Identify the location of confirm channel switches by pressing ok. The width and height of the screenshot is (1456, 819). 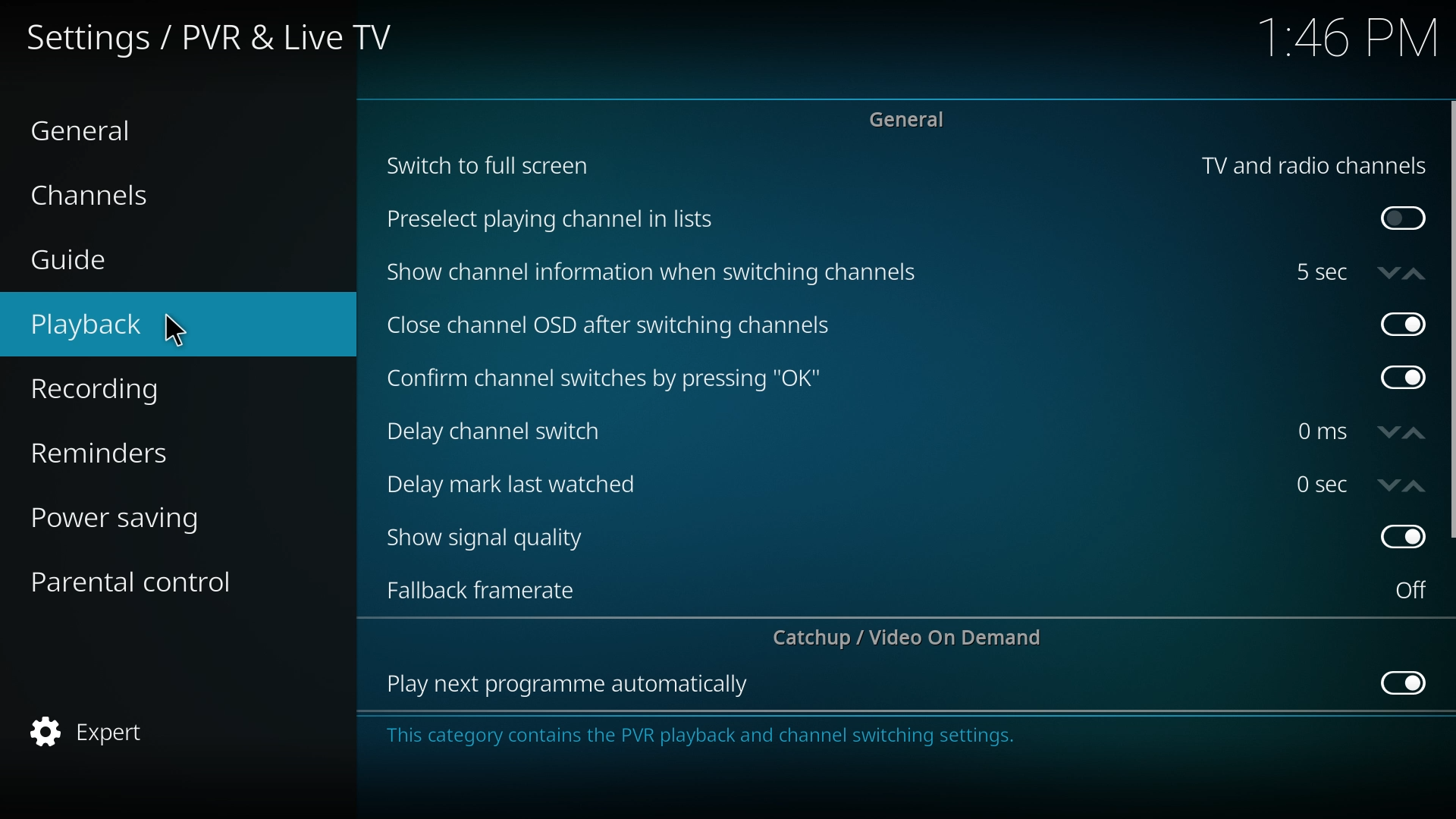
(603, 379).